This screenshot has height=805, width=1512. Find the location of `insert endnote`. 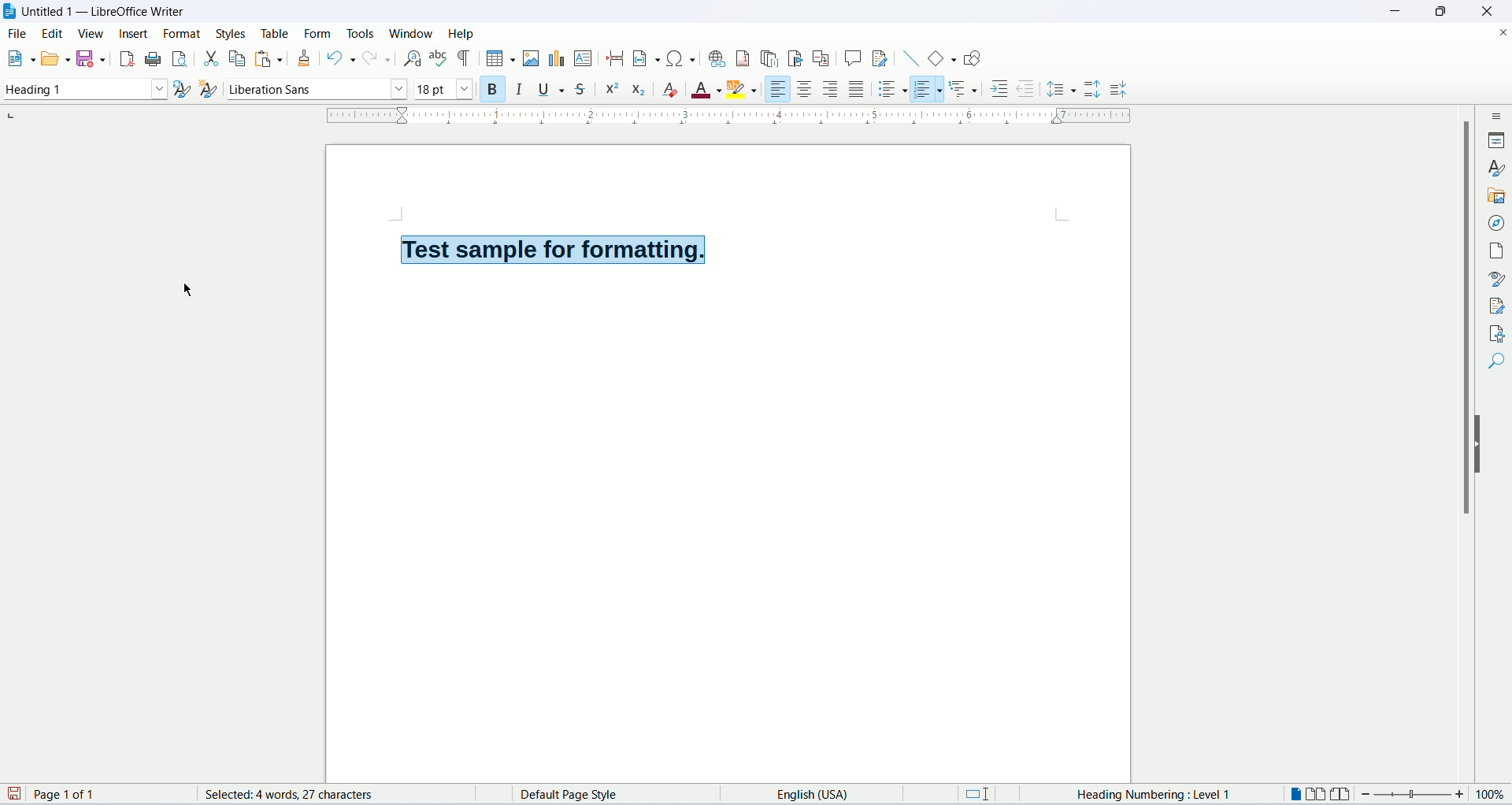

insert endnote is located at coordinates (772, 57).